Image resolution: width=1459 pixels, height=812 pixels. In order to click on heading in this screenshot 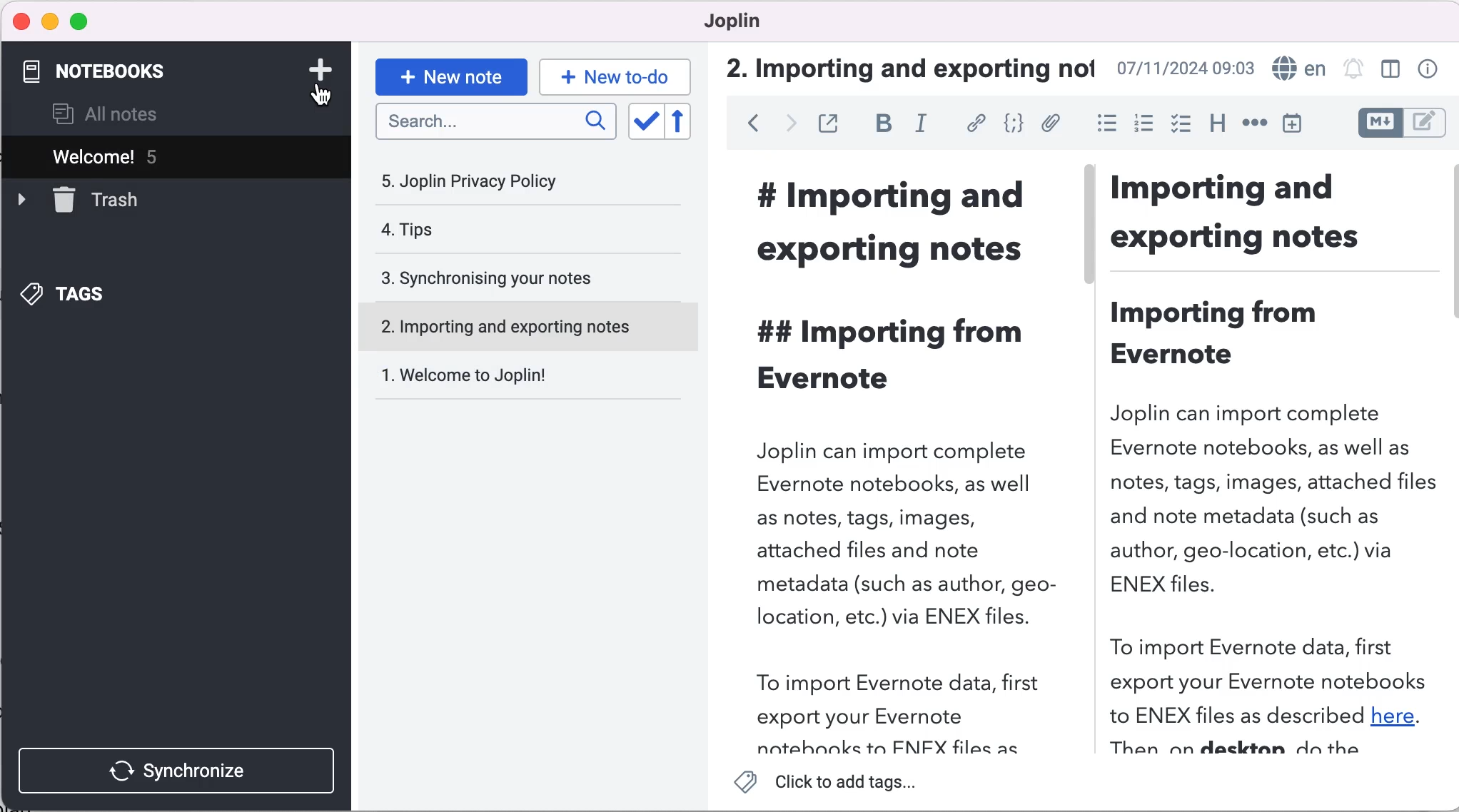, I will do `click(1216, 121)`.